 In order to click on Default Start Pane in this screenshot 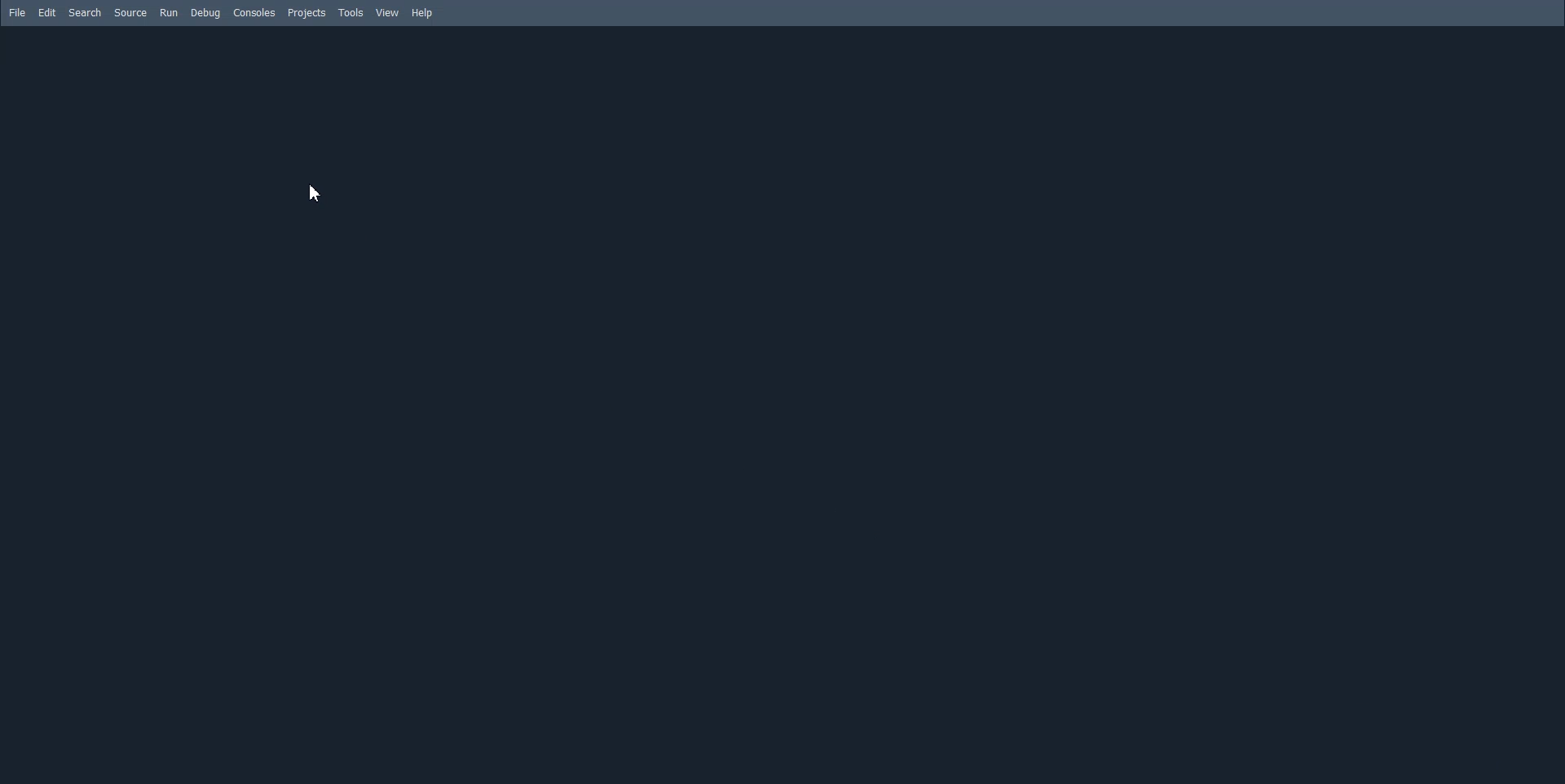, I will do `click(778, 405)`.